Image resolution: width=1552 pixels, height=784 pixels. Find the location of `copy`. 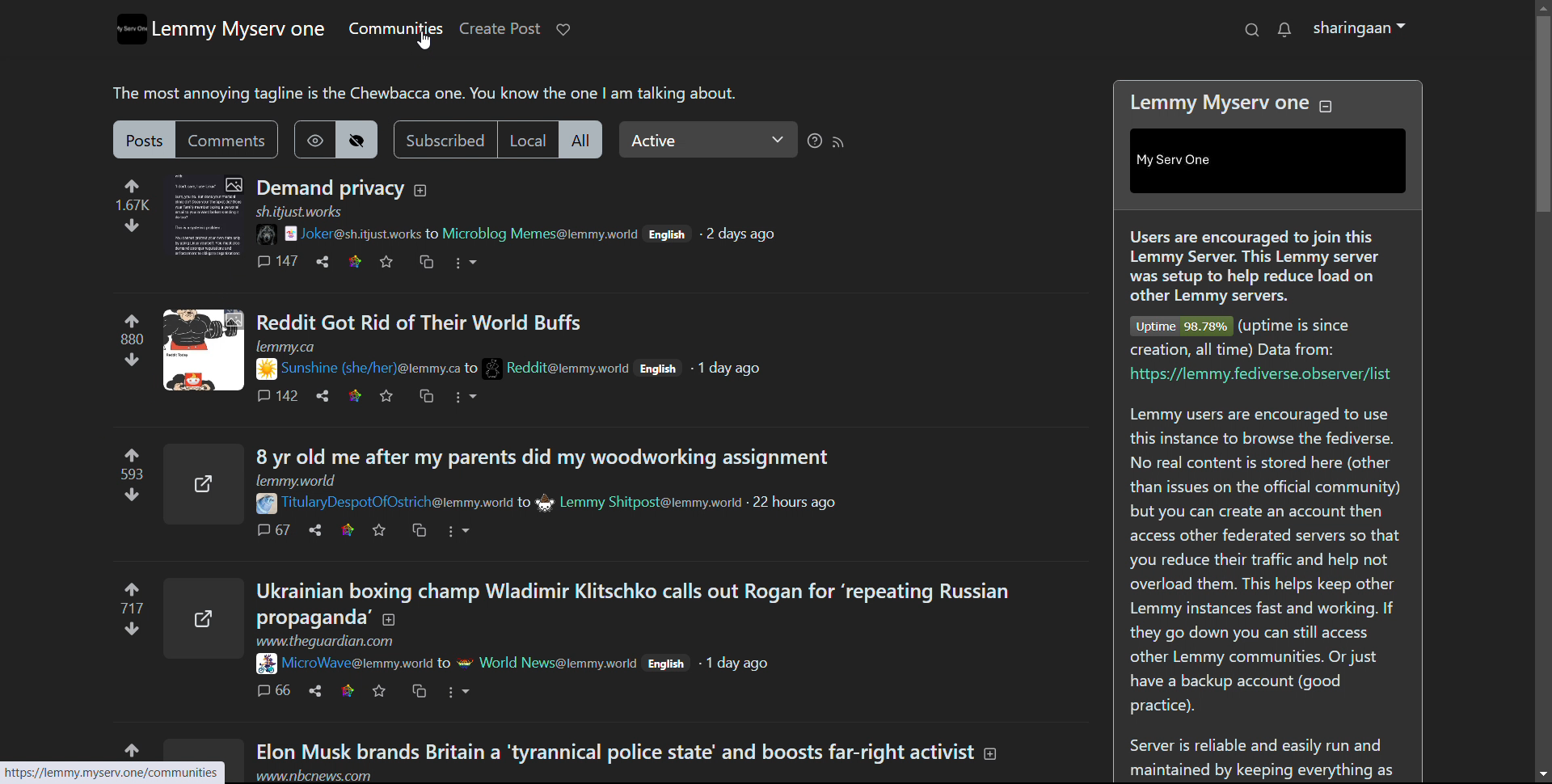

copy is located at coordinates (421, 690).